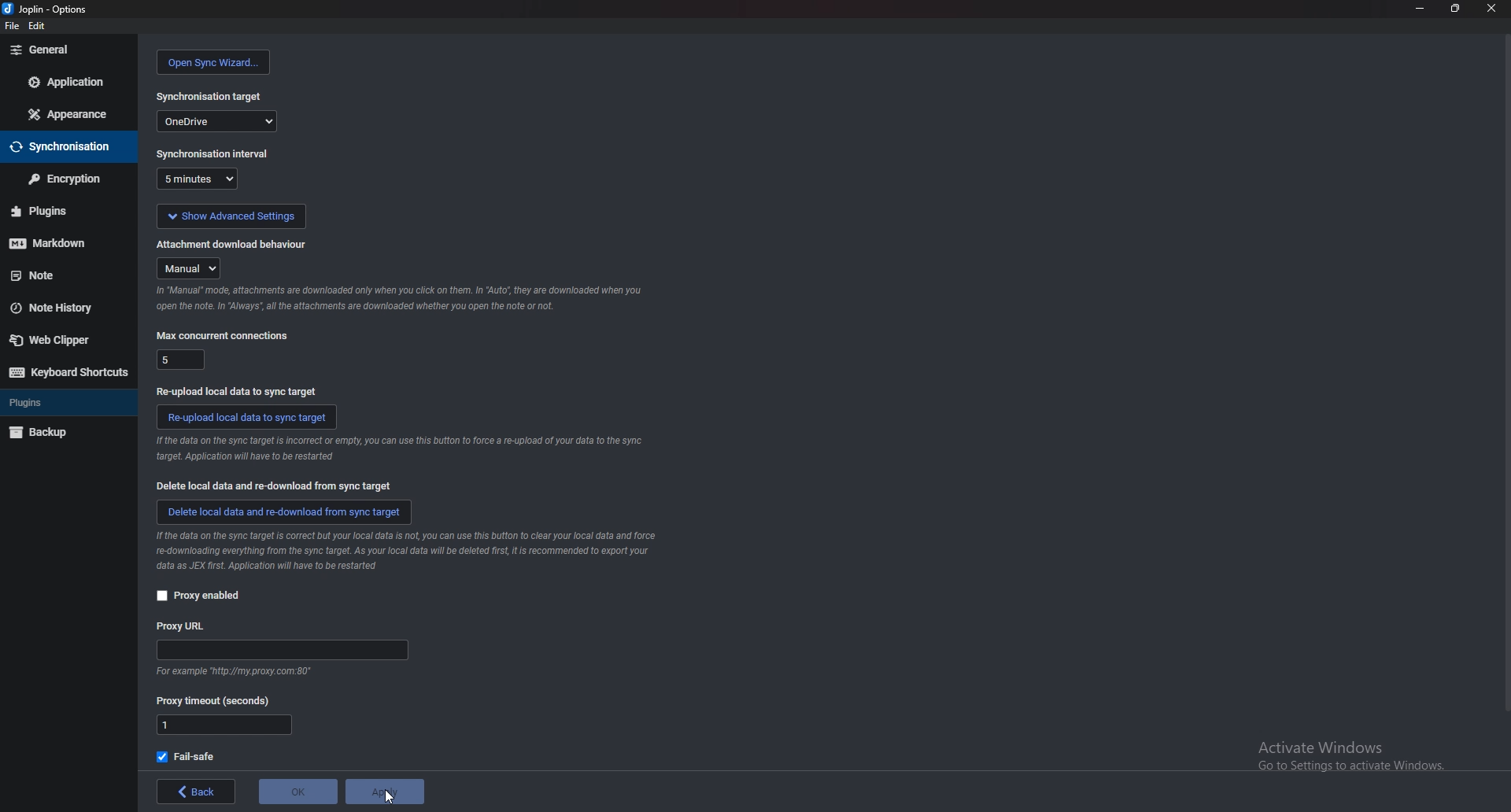 The image size is (1511, 812). Describe the element at coordinates (182, 359) in the screenshot. I see `5` at that location.